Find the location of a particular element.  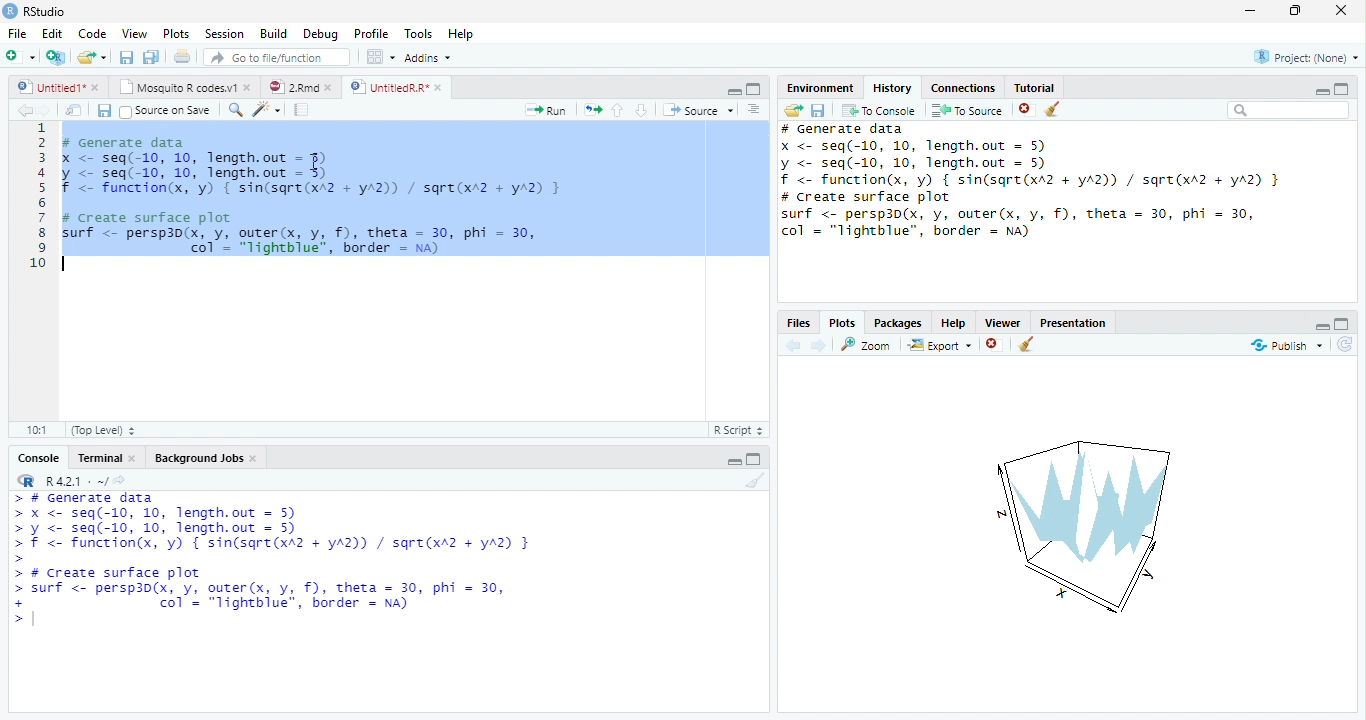

close is located at coordinates (248, 87).